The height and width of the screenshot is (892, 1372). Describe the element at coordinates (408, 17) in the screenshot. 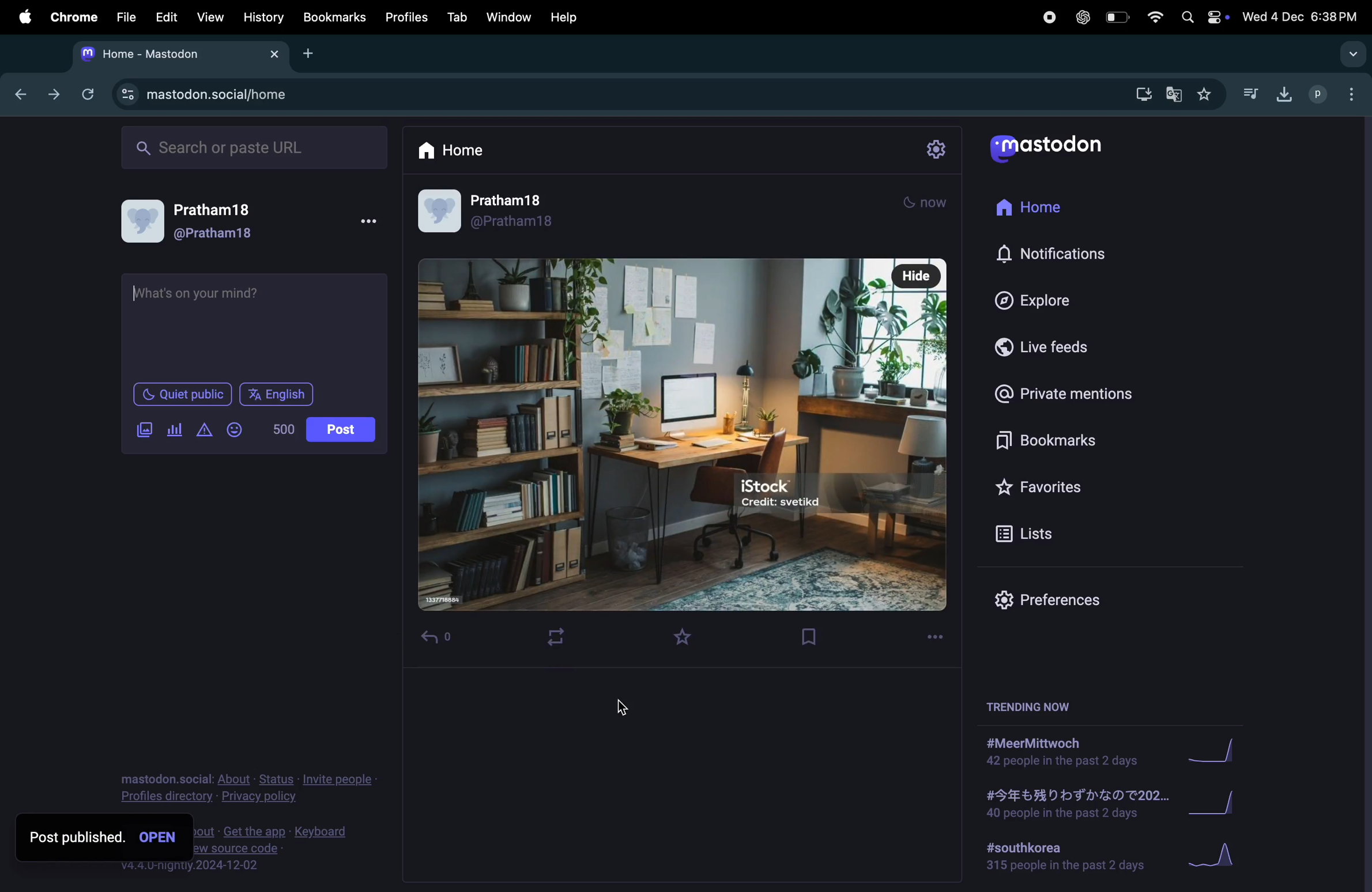

I see `profiles` at that location.